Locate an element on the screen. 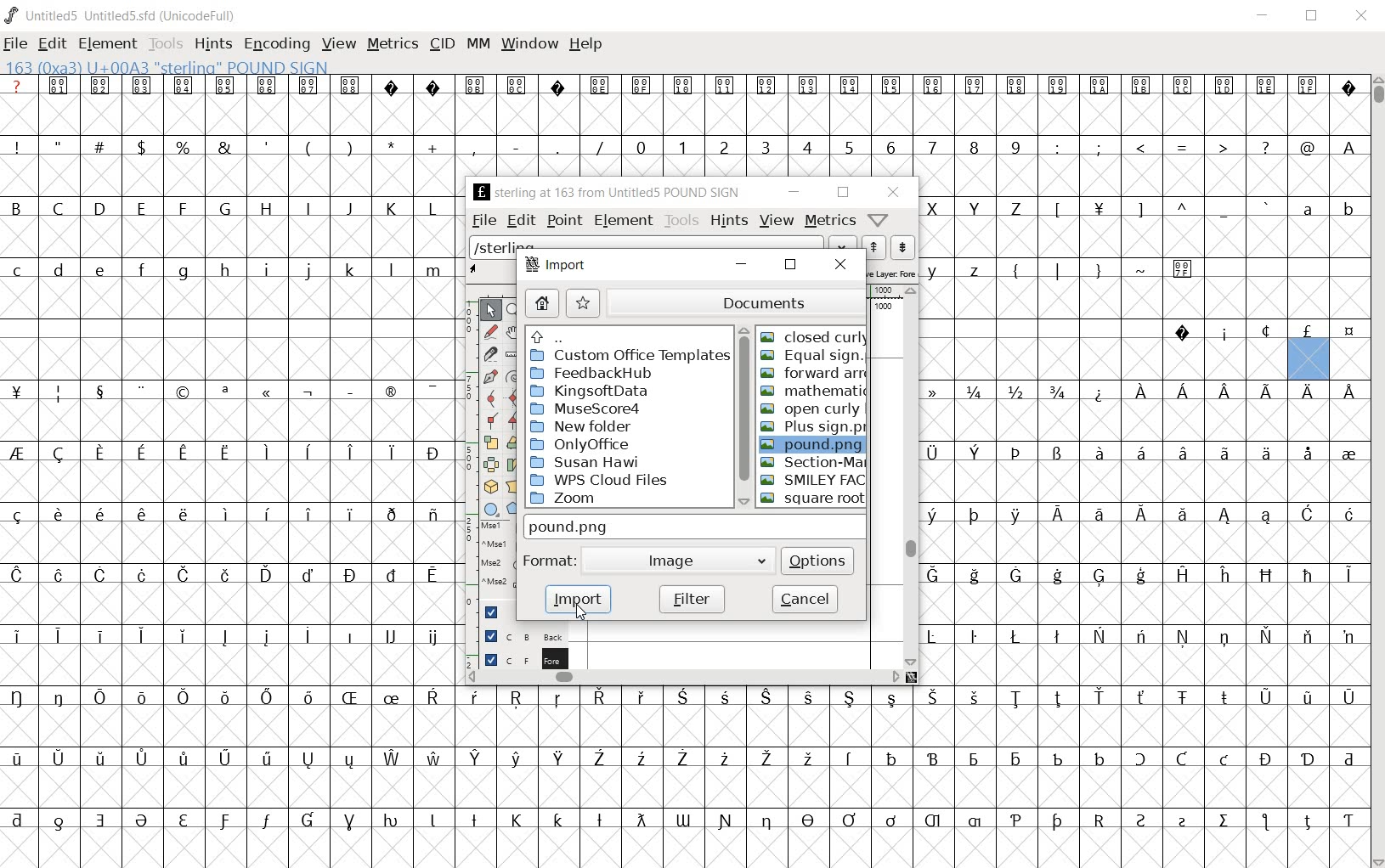 Image resolution: width=1385 pixels, height=868 pixels. Symbol is located at coordinates (307, 698).